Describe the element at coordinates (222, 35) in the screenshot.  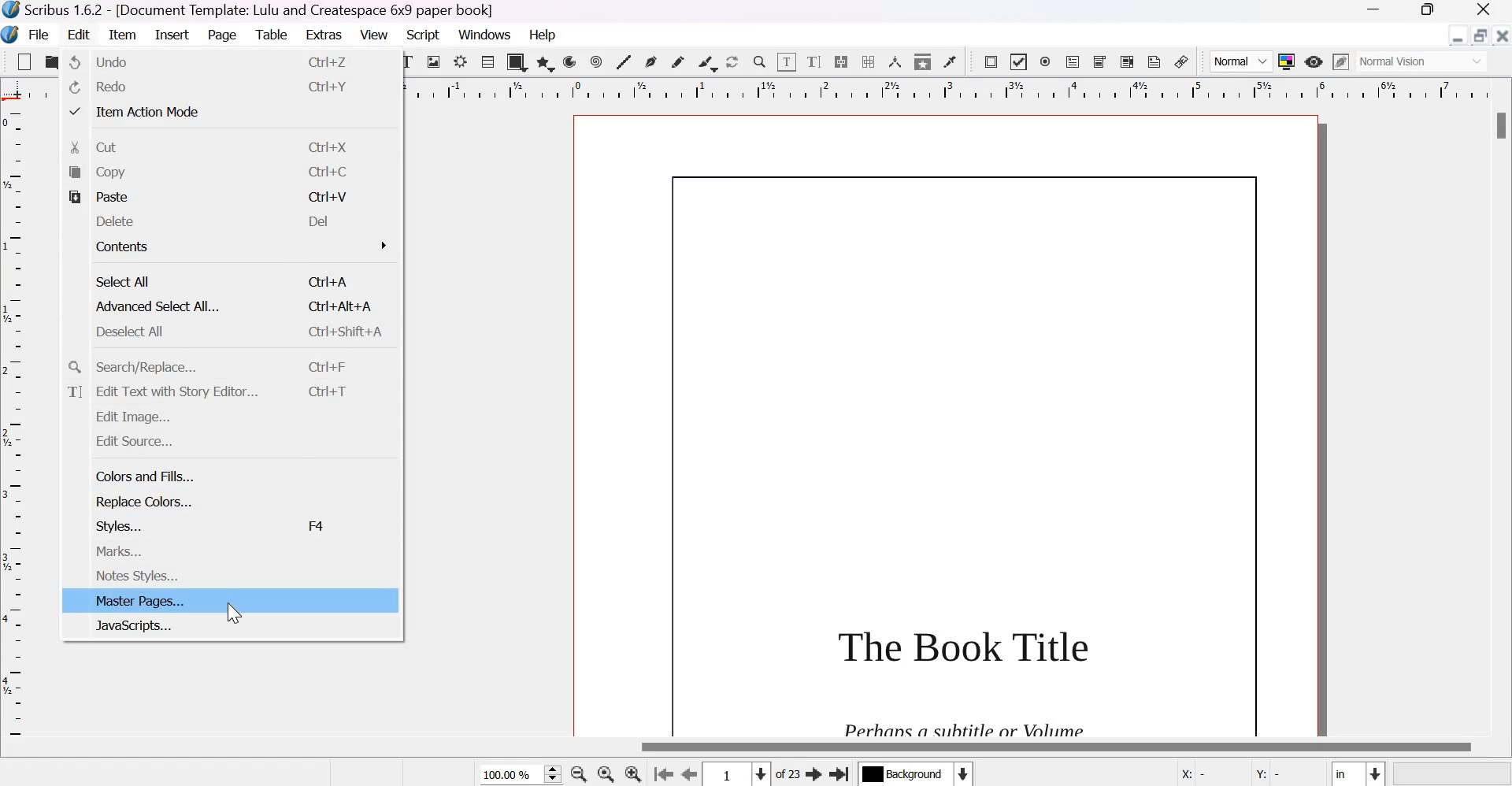
I see `Page` at that location.